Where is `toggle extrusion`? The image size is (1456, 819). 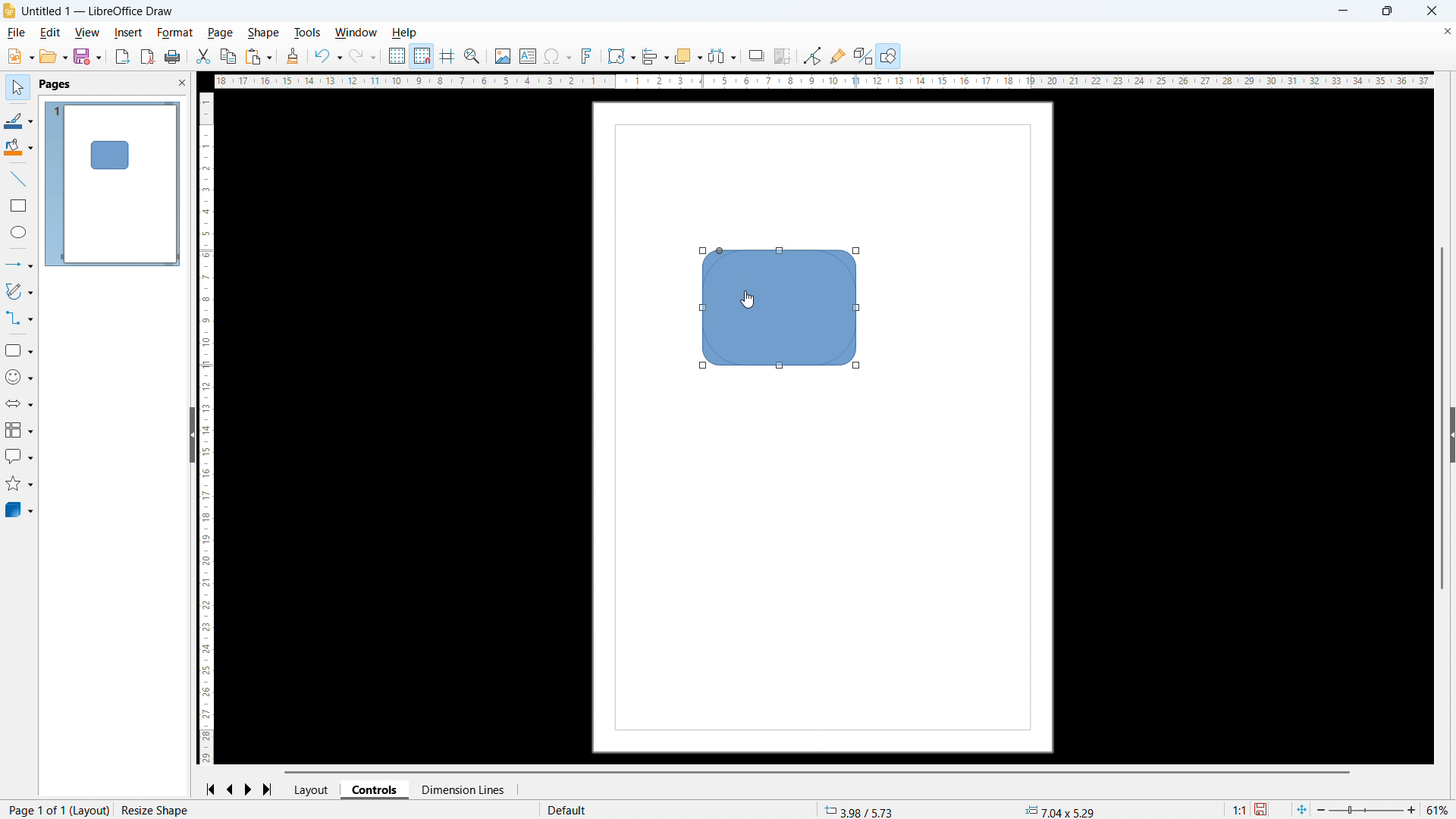
toggle extrusion is located at coordinates (863, 55).